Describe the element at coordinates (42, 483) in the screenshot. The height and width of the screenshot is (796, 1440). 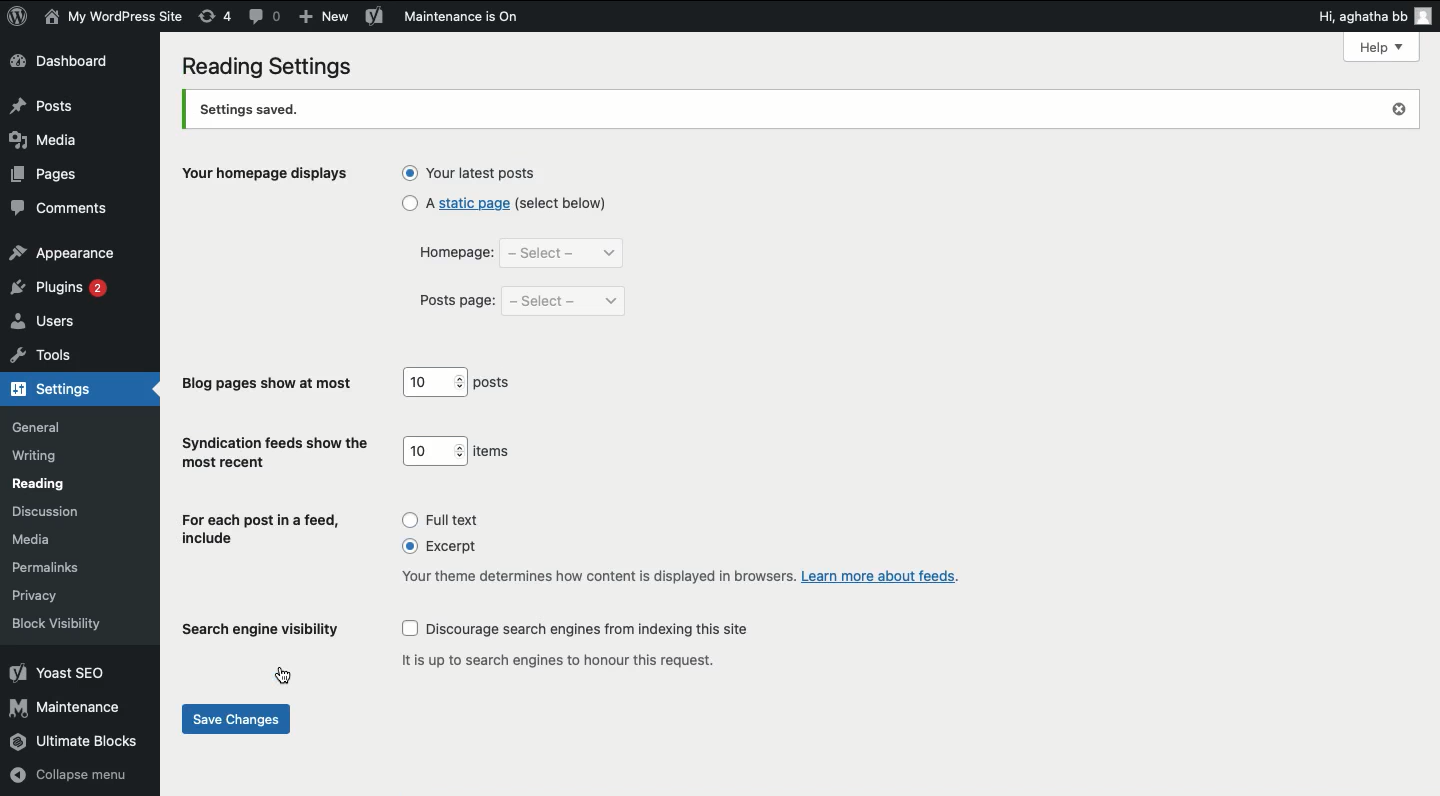
I see `reading` at that location.